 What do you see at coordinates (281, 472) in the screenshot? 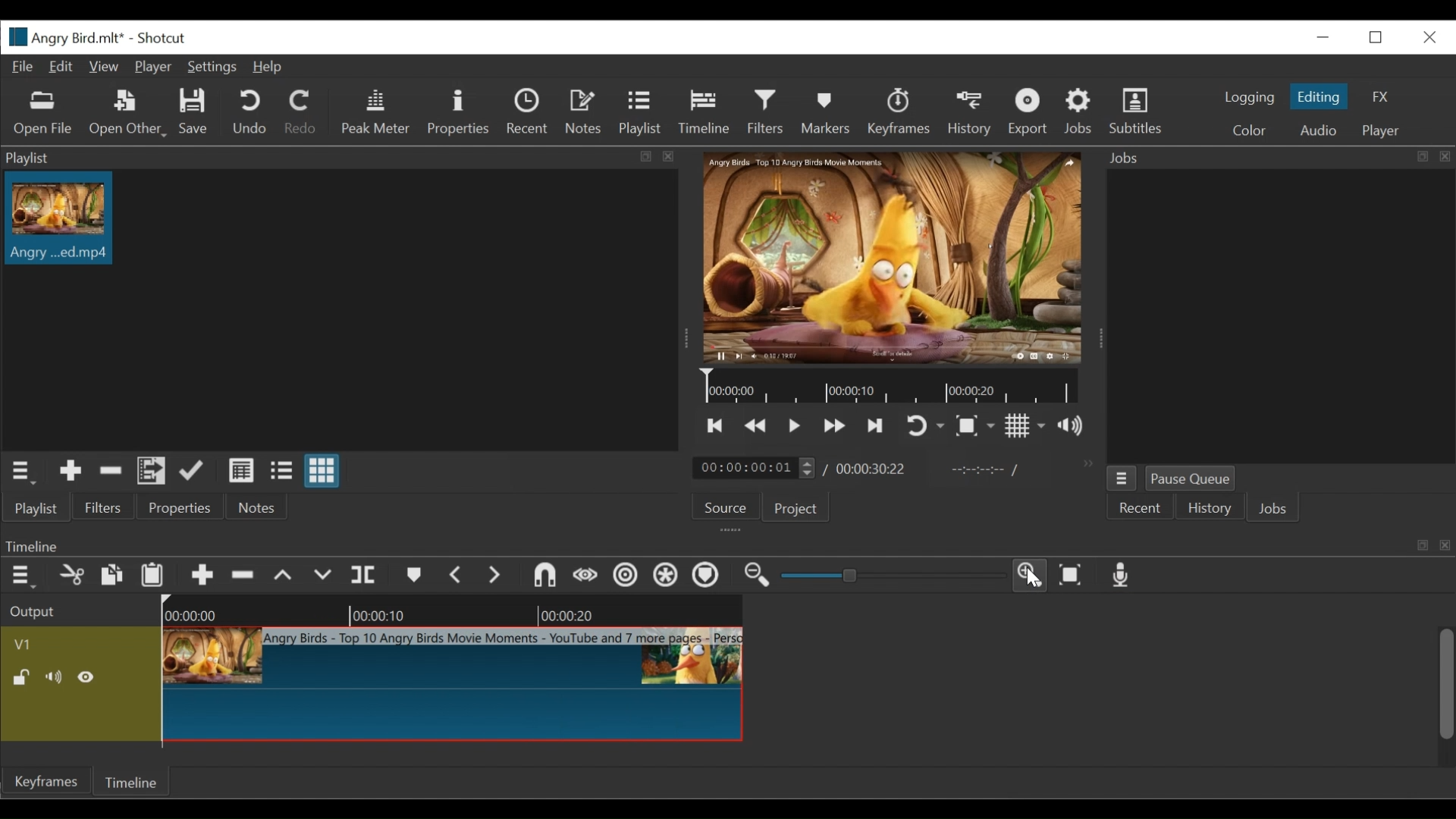
I see `View as files` at bounding box center [281, 472].